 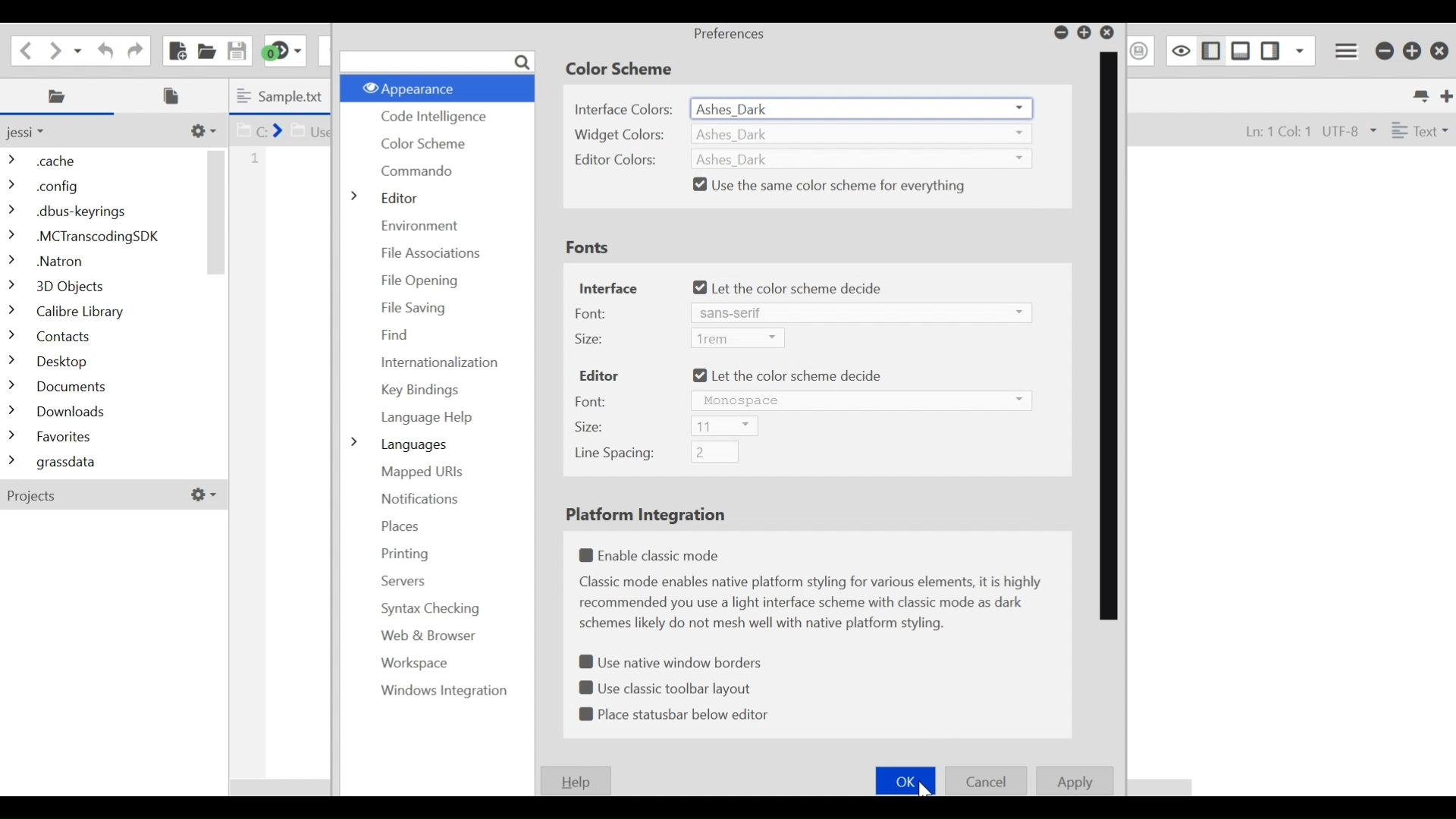 I want to click on Toggle focus mode, so click(x=1179, y=50).